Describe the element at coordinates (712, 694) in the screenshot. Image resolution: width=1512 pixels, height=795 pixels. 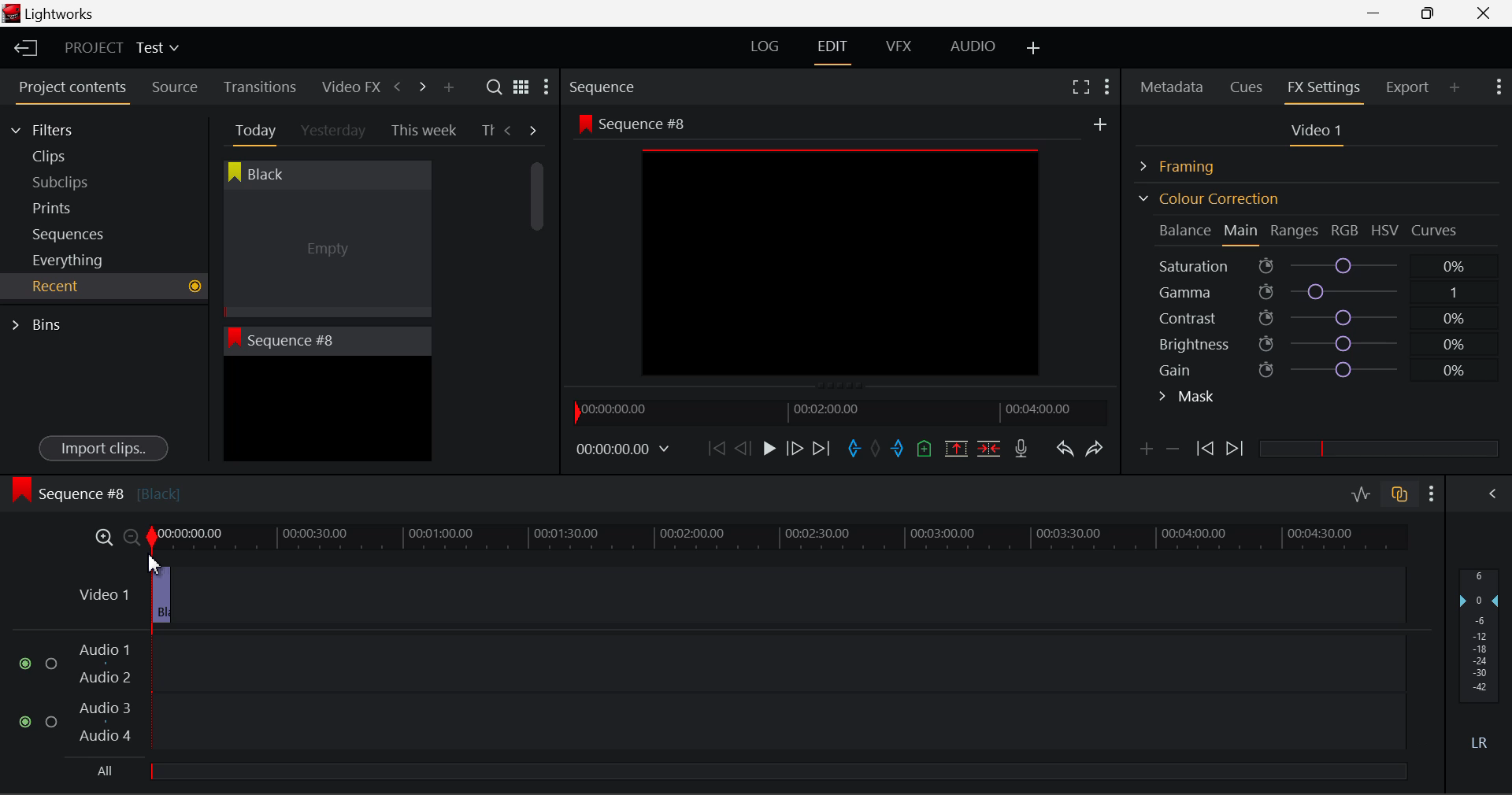
I see `Audio Input Fields` at that location.